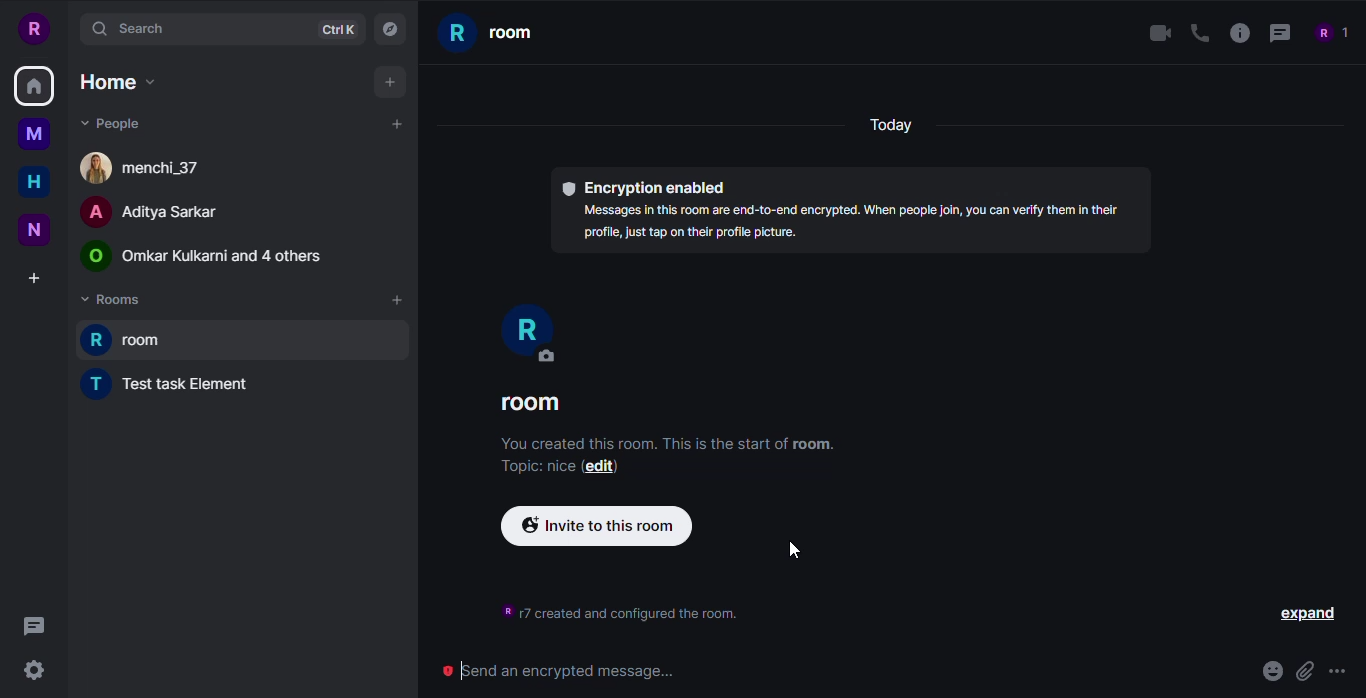 The height and width of the screenshot is (698, 1366). What do you see at coordinates (390, 82) in the screenshot?
I see `add` at bounding box center [390, 82].